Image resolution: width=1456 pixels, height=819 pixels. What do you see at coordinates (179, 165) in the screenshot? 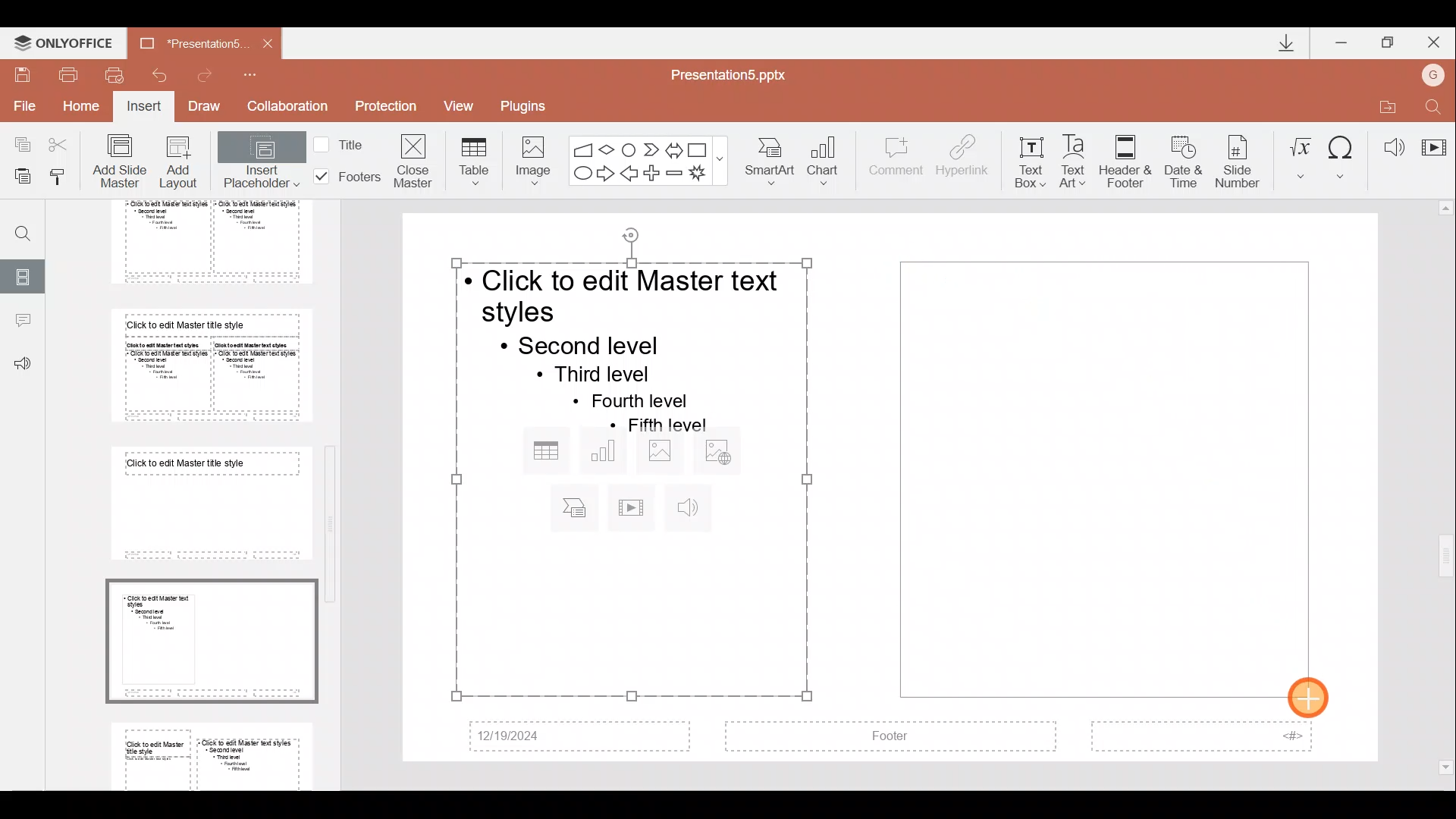
I see `Add layout` at bounding box center [179, 165].